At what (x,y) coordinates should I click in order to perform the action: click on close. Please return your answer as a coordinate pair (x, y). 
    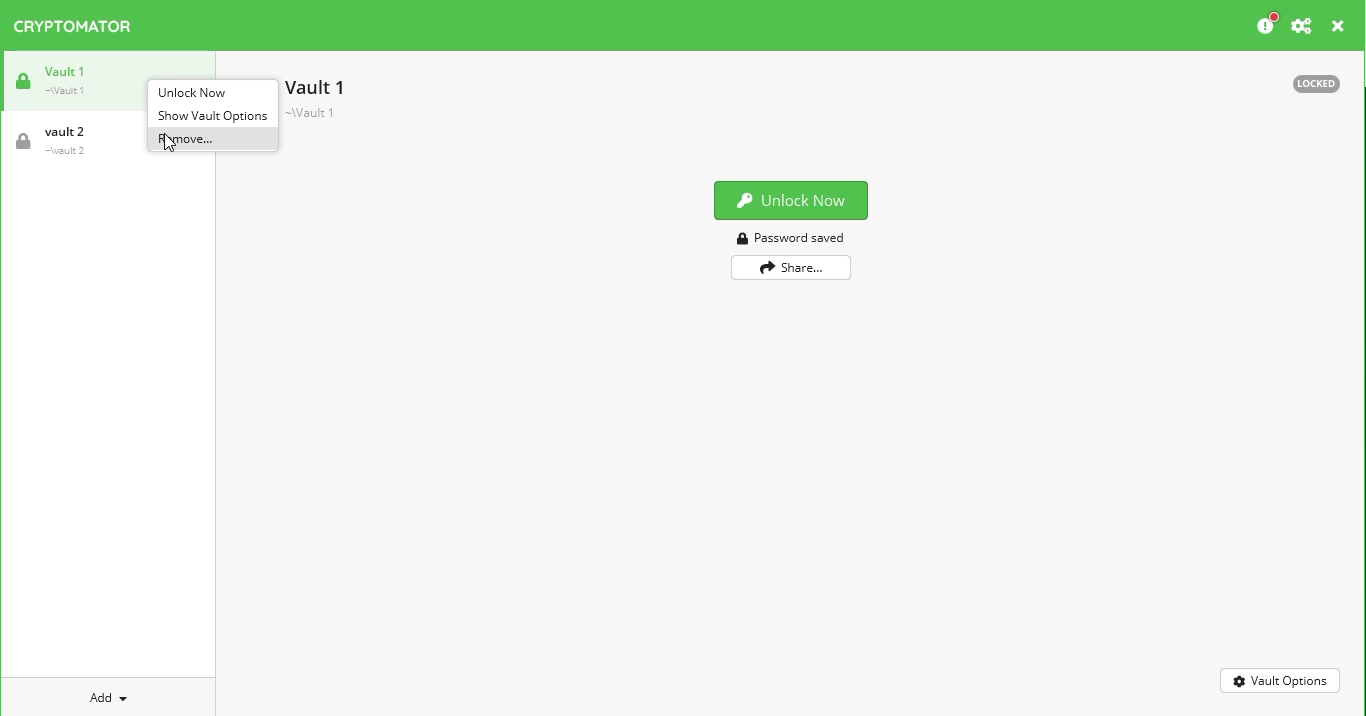
    Looking at the image, I should click on (1339, 27).